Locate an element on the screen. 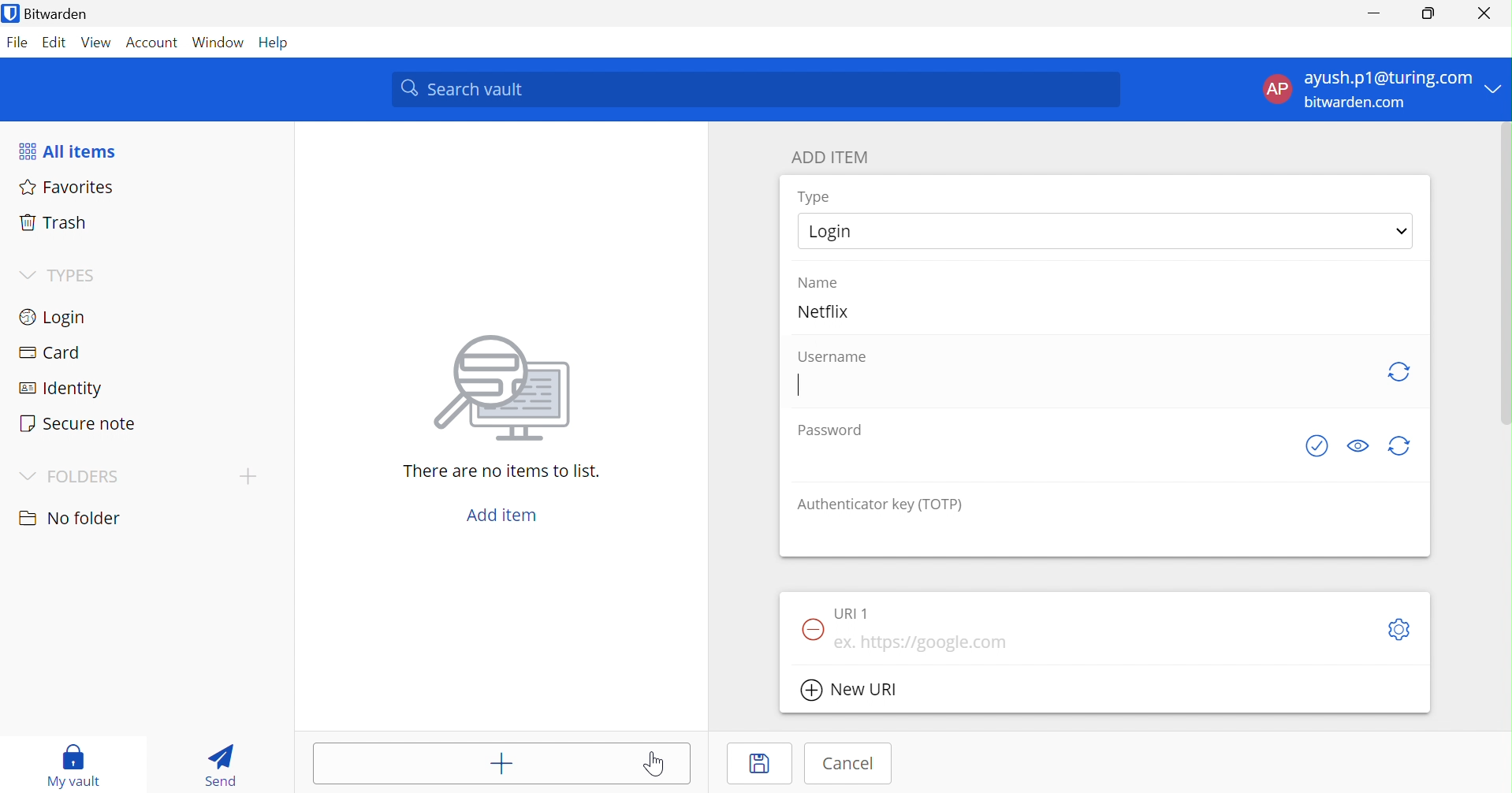  Name is located at coordinates (818, 282).